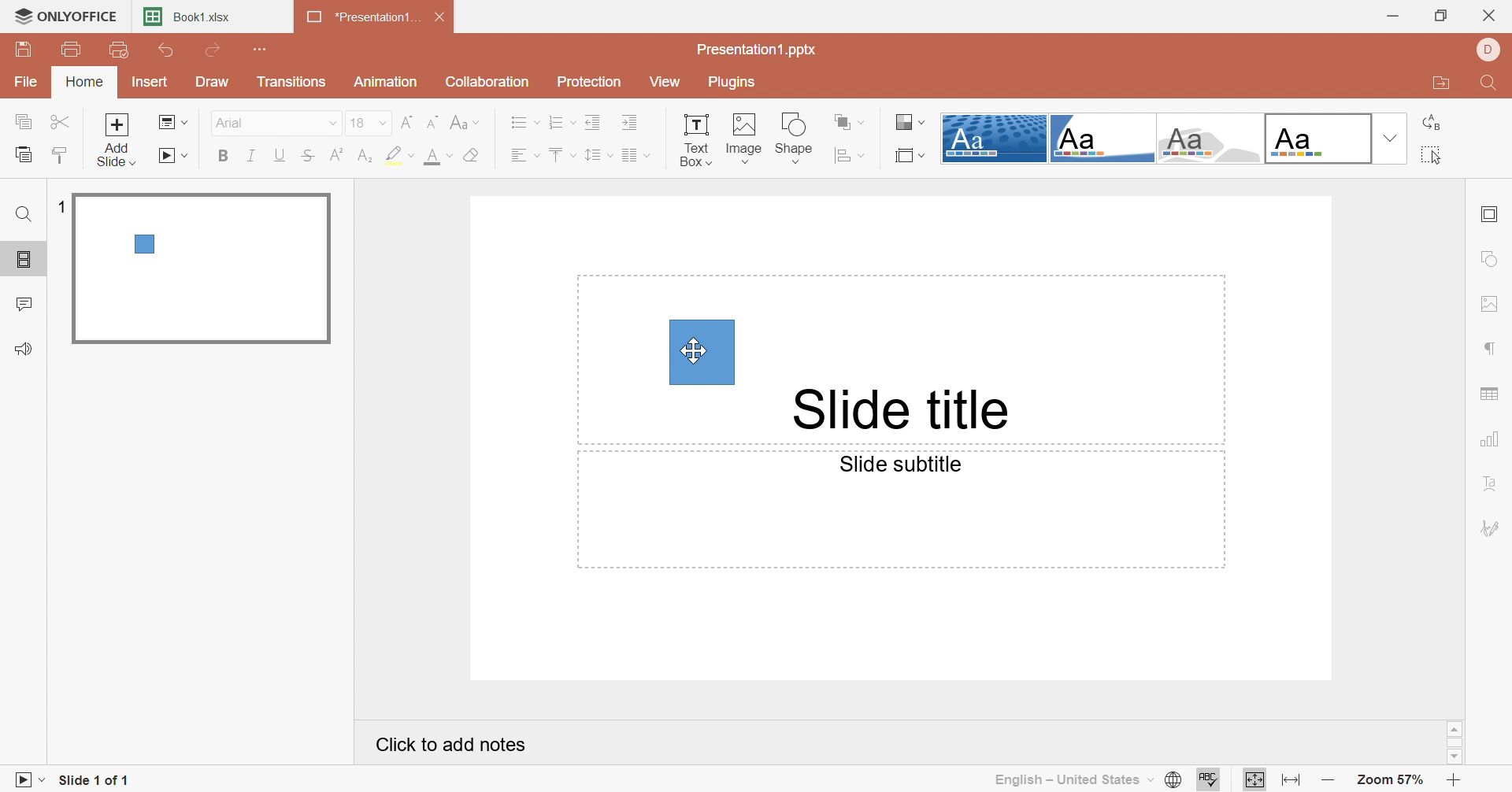 The height and width of the screenshot is (792, 1512). What do you see at coordinates (442, 17) in the screenshot?
I see `Close` at bounding box center [442, 17].